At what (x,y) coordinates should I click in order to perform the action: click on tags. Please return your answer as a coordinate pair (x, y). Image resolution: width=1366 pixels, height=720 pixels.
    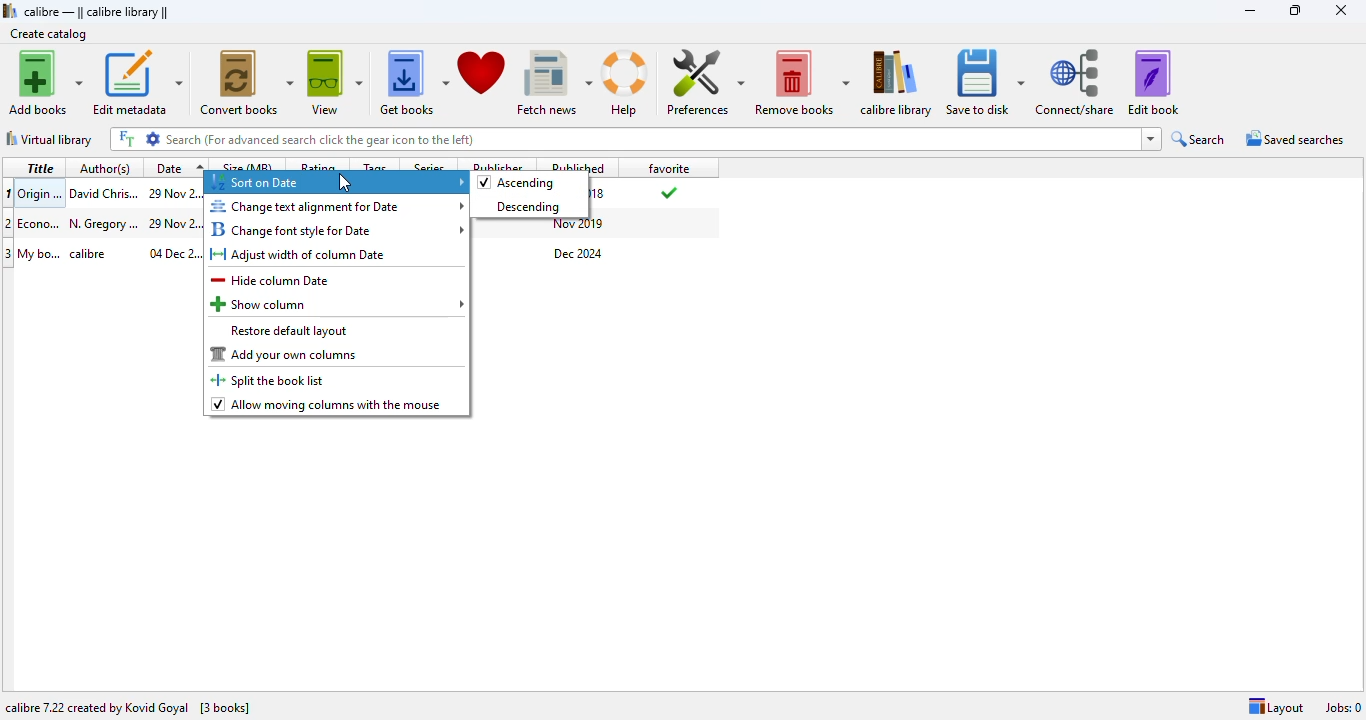
    Looking at the image, I should click on (374, 164).